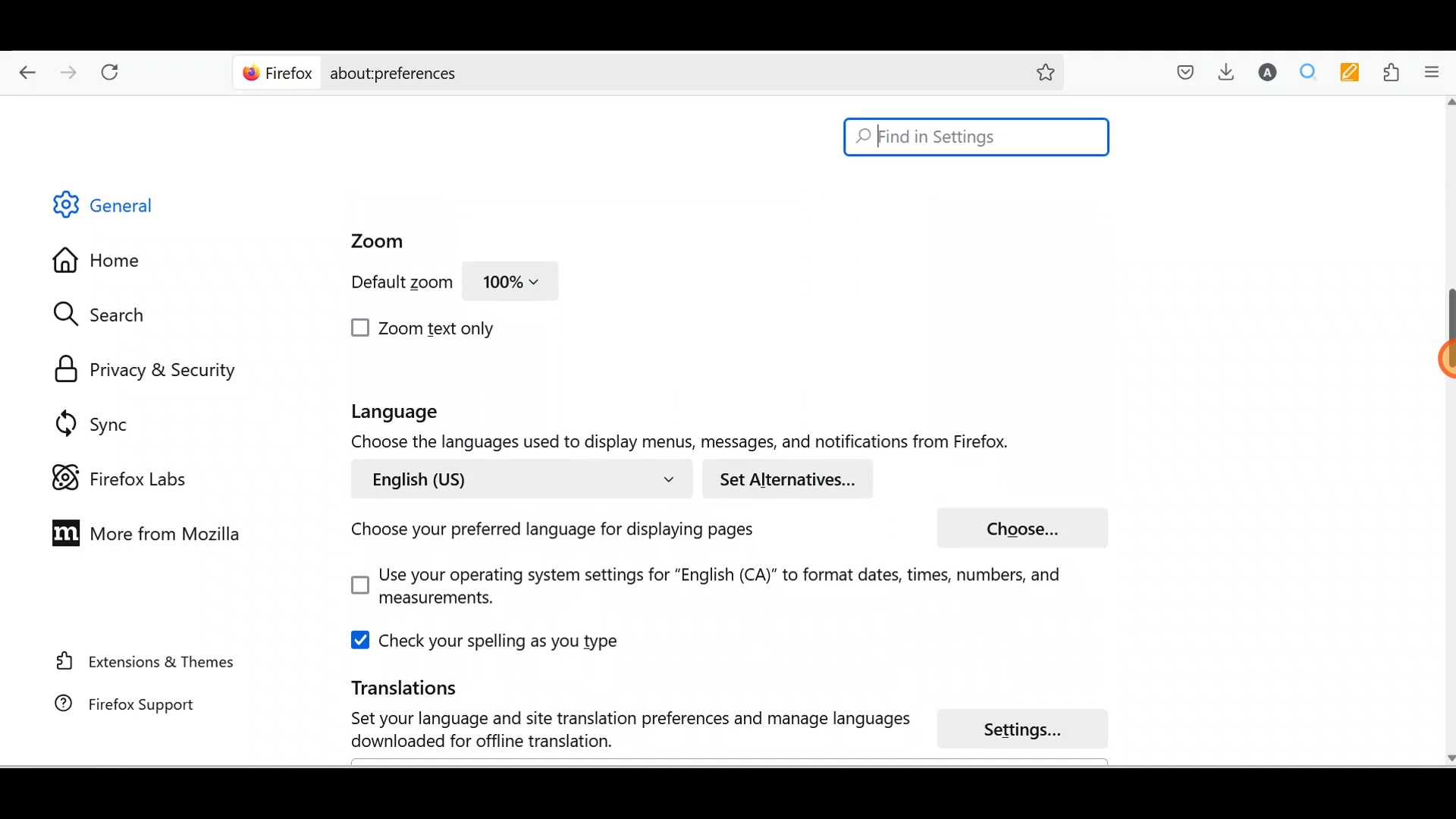 The width and height of the screenshot is (1456, 819). I want to click on Settings, so click(1031, 730).